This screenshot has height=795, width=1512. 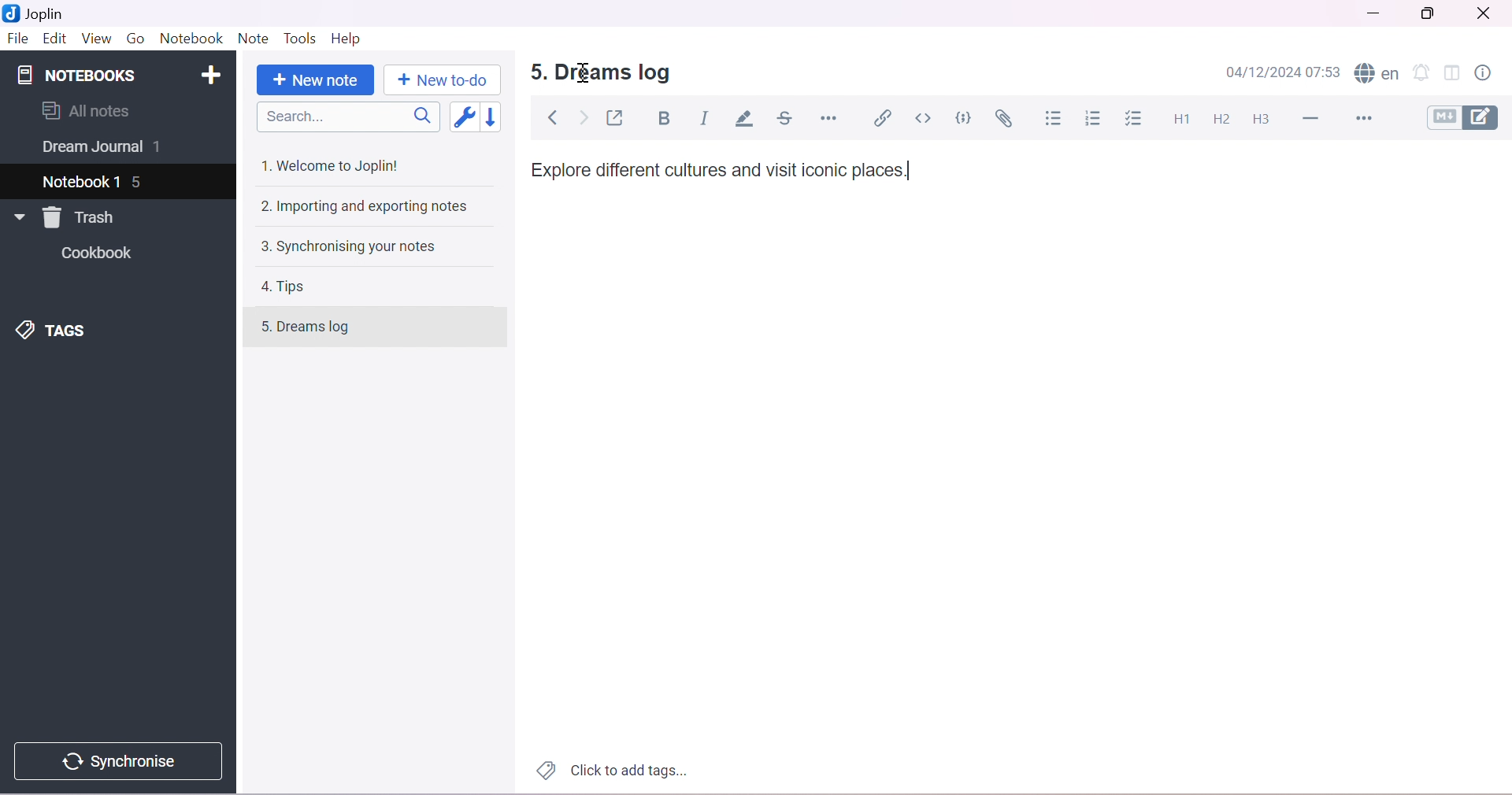 What do you see at coordinates (335, 165) in the screenshot?
I see `1. Welcome to Joplin!` at bounding box center [335, 165].